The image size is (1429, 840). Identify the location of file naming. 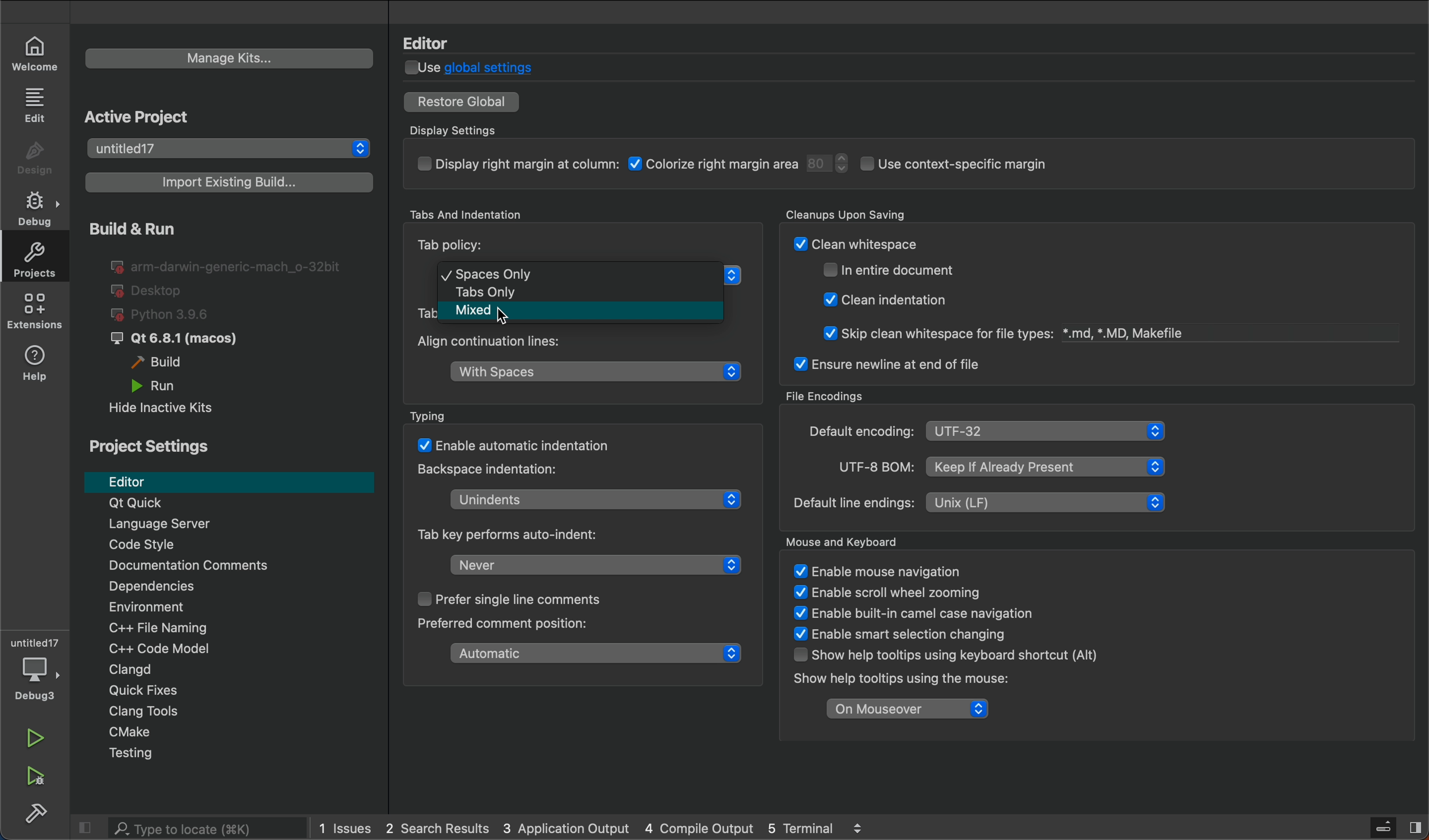
(244, 629).